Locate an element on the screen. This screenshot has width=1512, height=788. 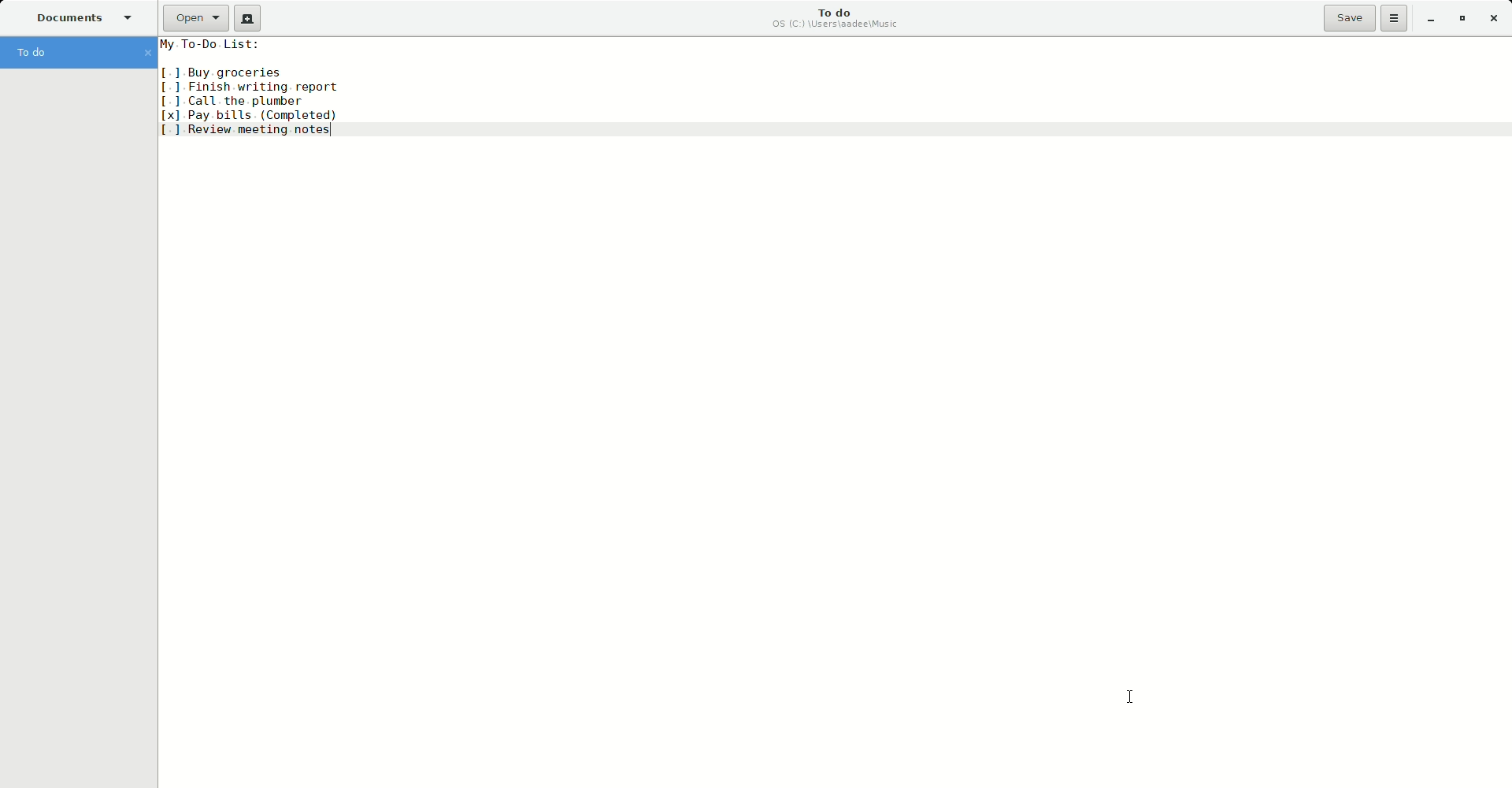
Save is located at coordinates (1348, 20).